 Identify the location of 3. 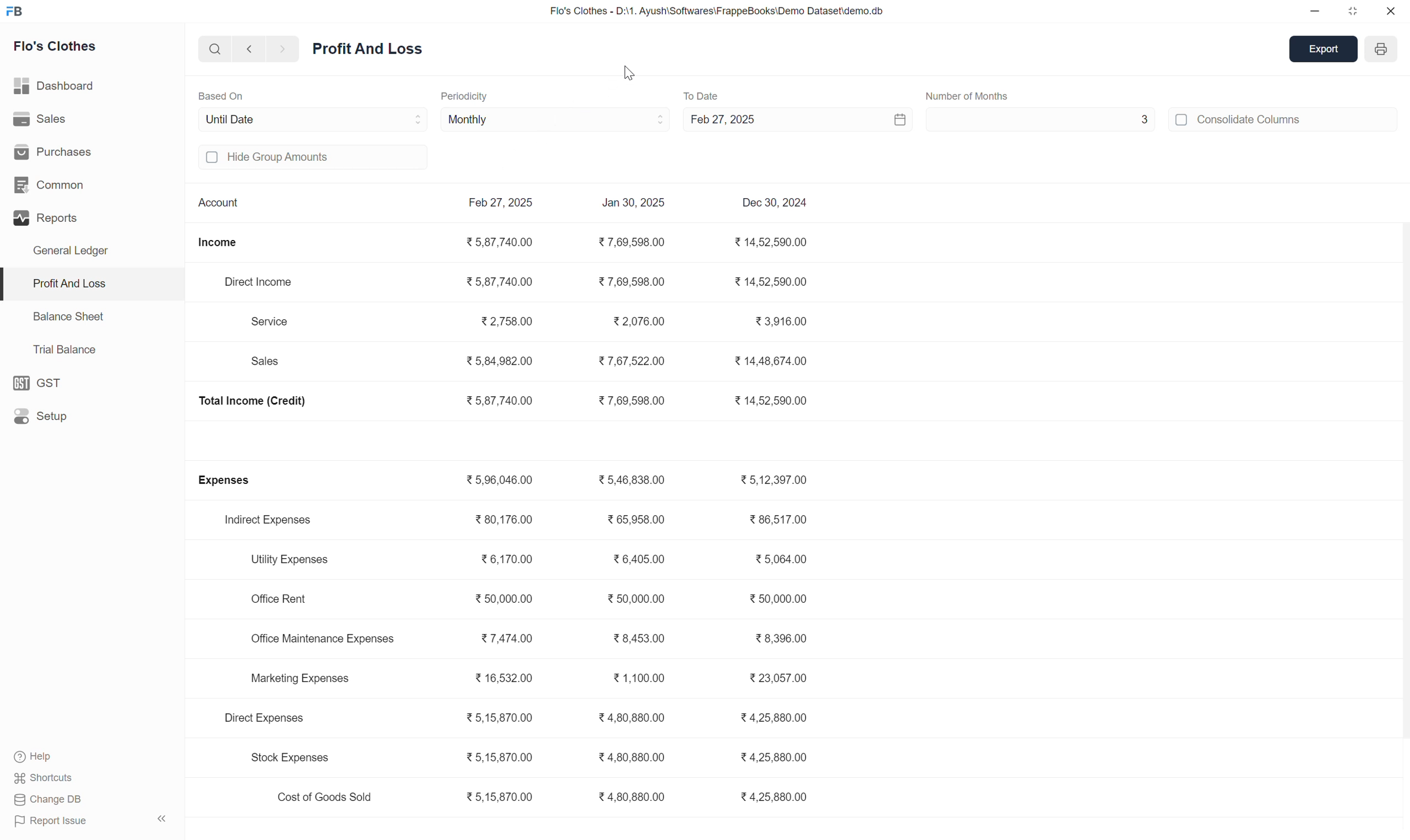
(1044, 118).